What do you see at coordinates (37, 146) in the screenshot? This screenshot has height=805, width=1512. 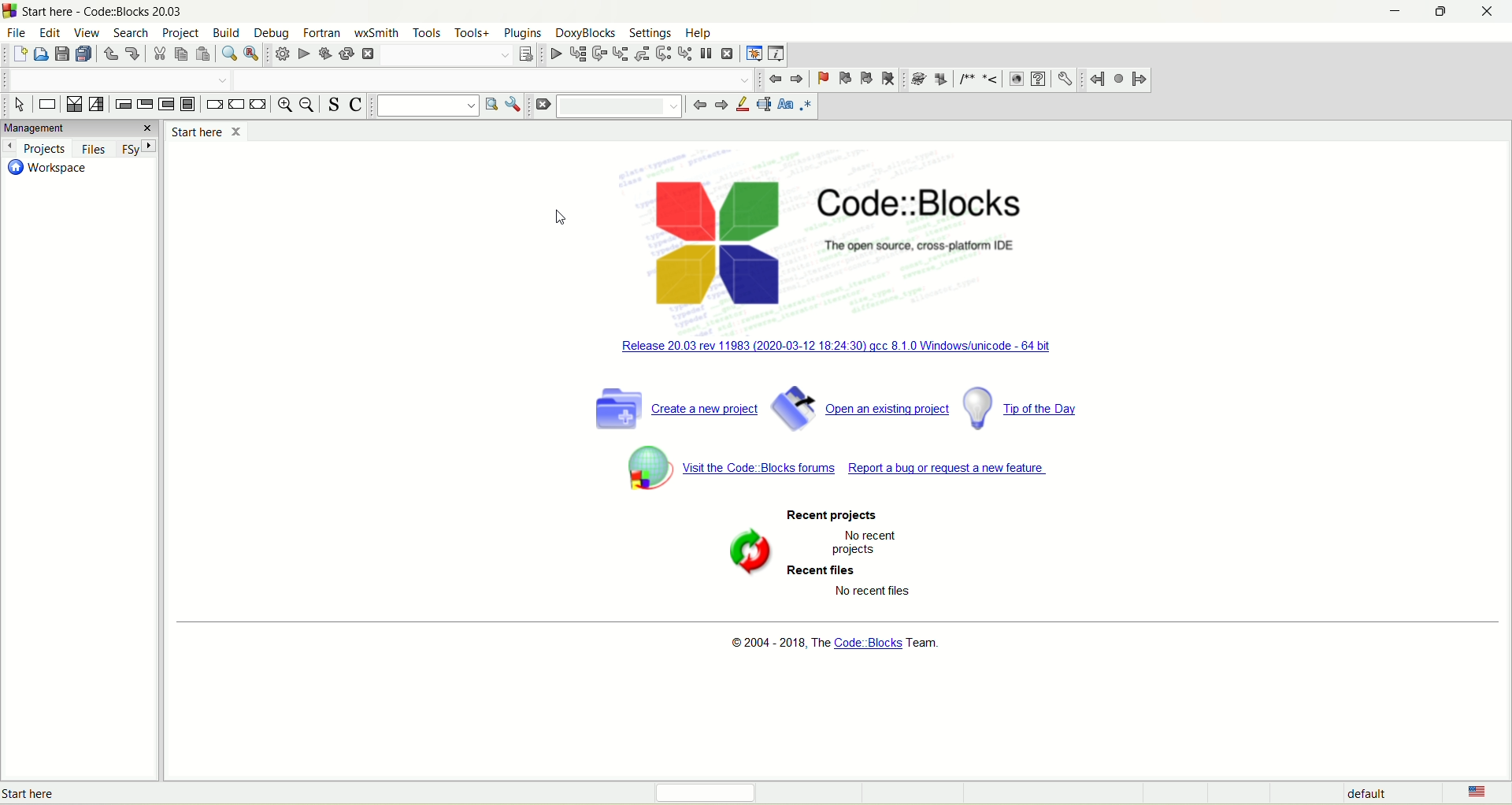 I see `projects` at bounding box center [37, 146].